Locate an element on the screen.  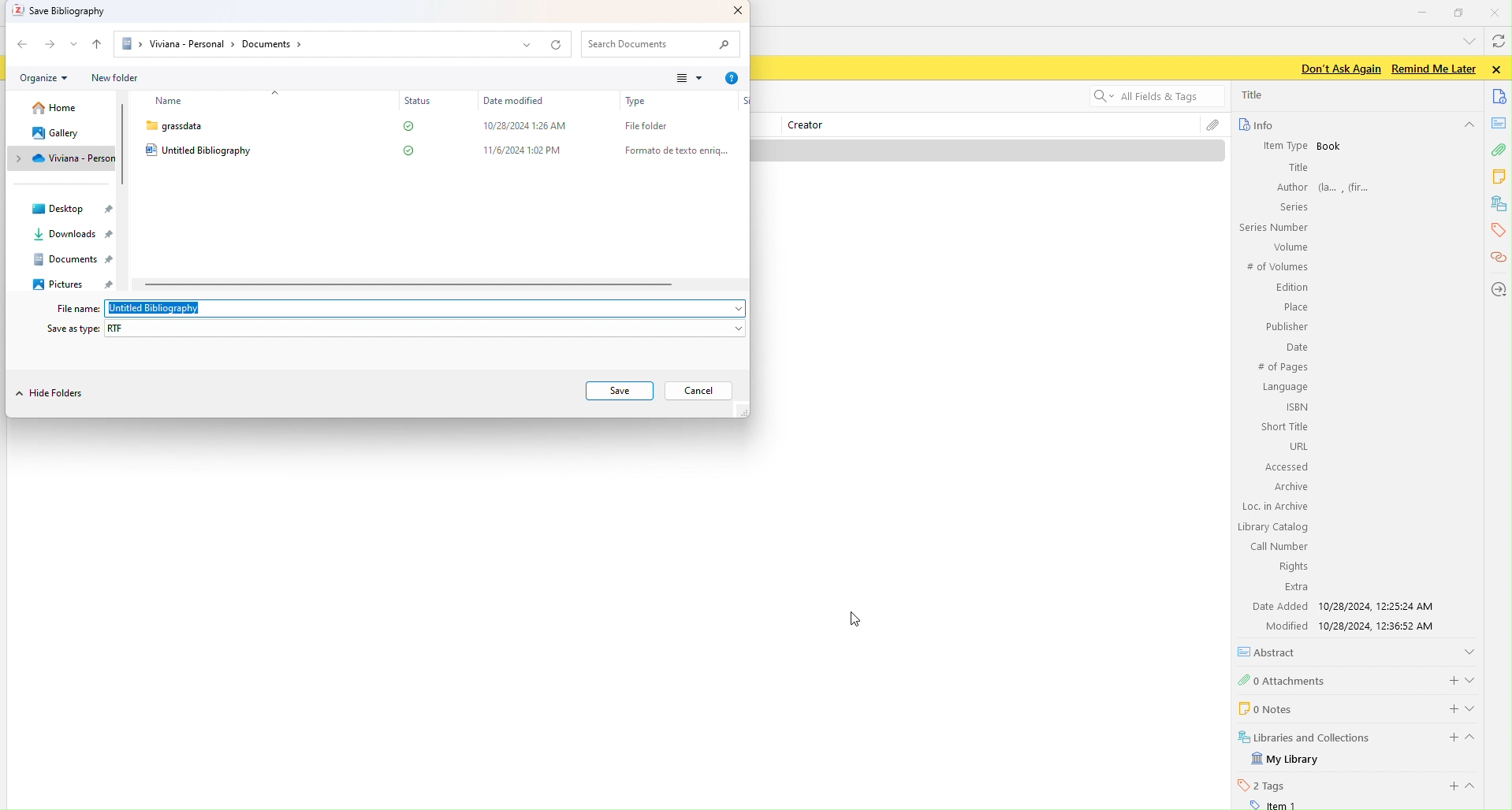
Up is located at coordinates (99, 43).